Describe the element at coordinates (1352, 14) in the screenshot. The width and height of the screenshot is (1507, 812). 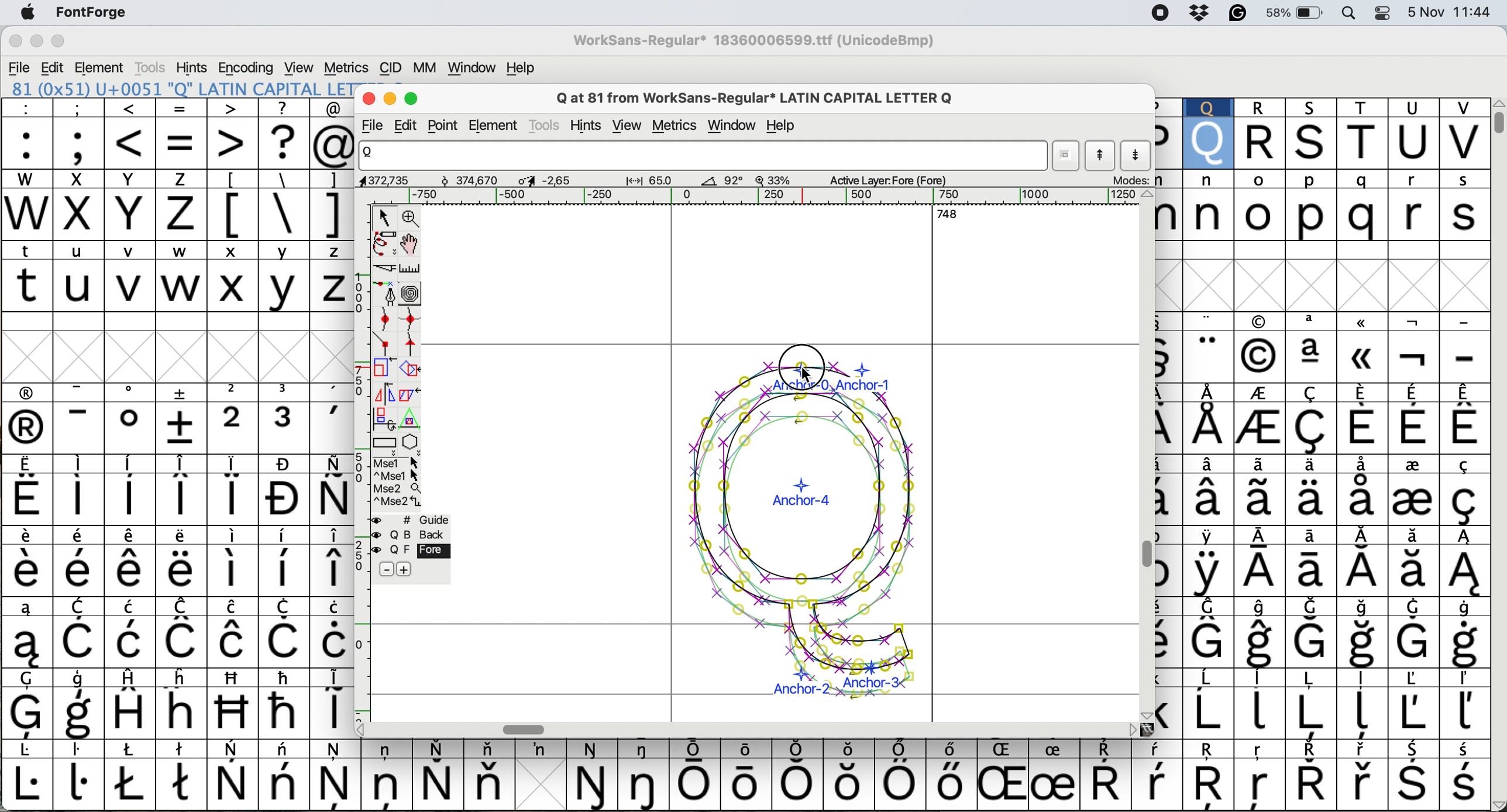
I see `spotlight search` at that location.